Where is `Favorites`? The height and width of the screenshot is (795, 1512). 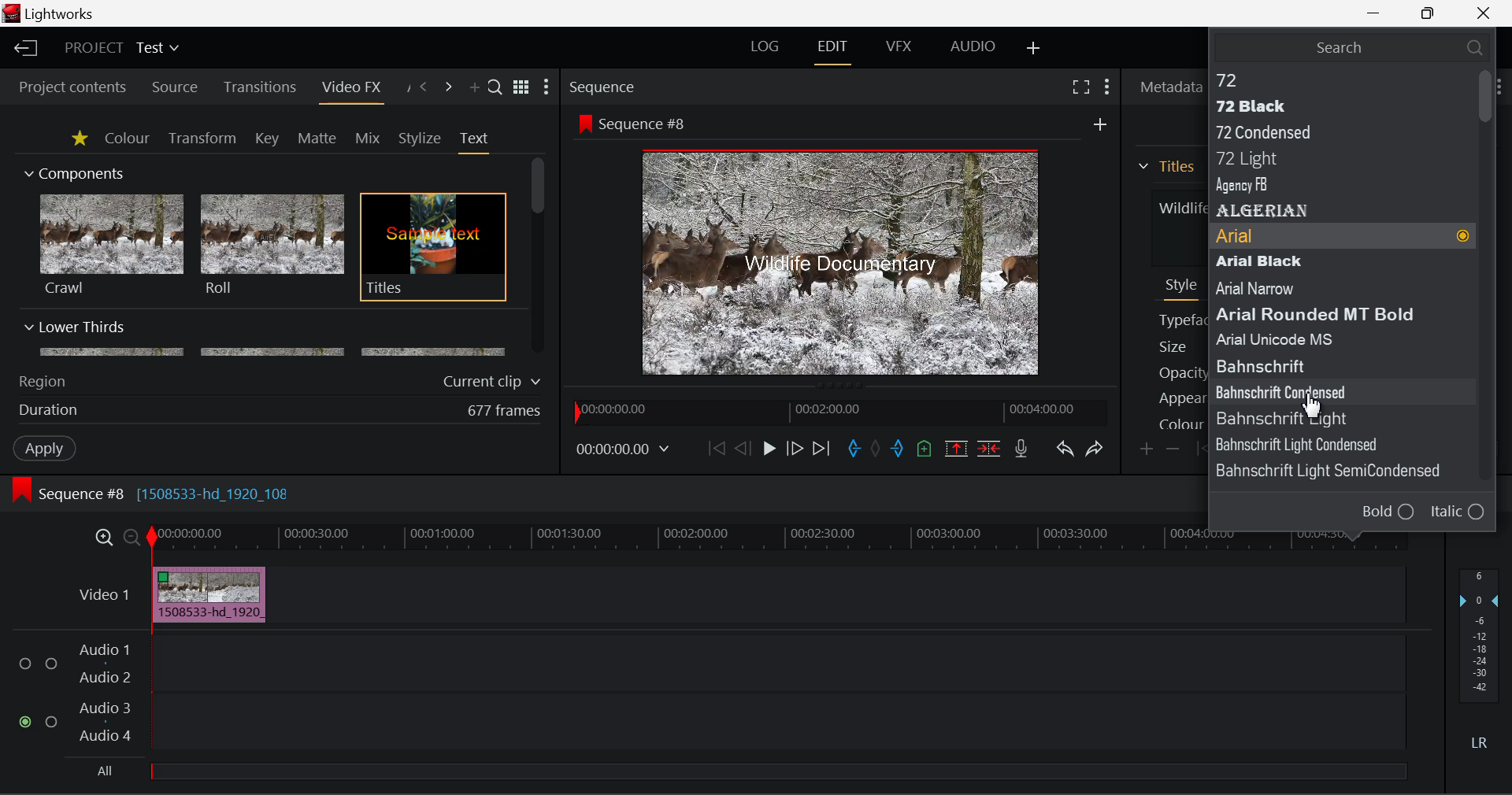
Favorites is located at coordinates (81, 139).